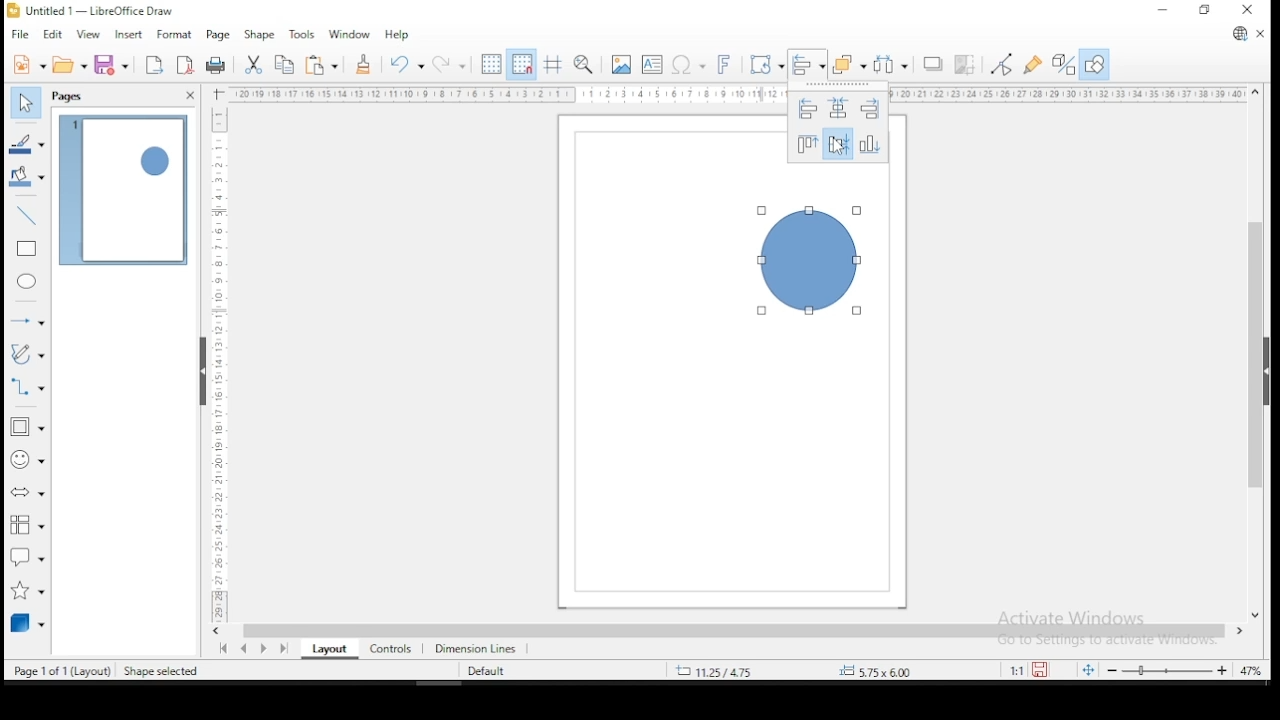  Describe the element at coordinates (719, 670) in the screenshot. I see `11.25/4.75` at that location.